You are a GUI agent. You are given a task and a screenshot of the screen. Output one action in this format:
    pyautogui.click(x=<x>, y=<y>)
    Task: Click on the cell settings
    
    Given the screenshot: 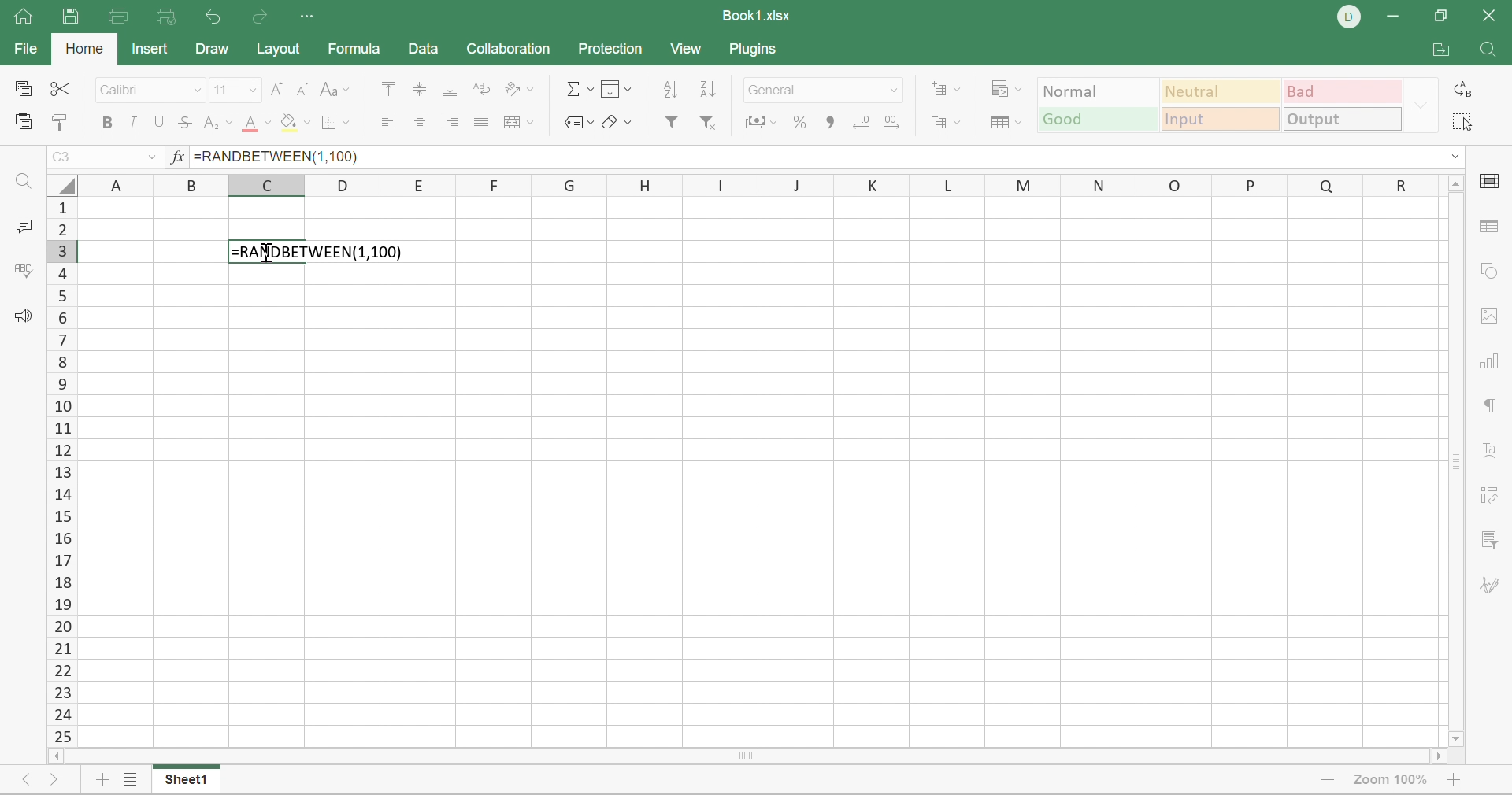 What is the action you would take?
    pyautogui.click(x=1491, y=183)
    